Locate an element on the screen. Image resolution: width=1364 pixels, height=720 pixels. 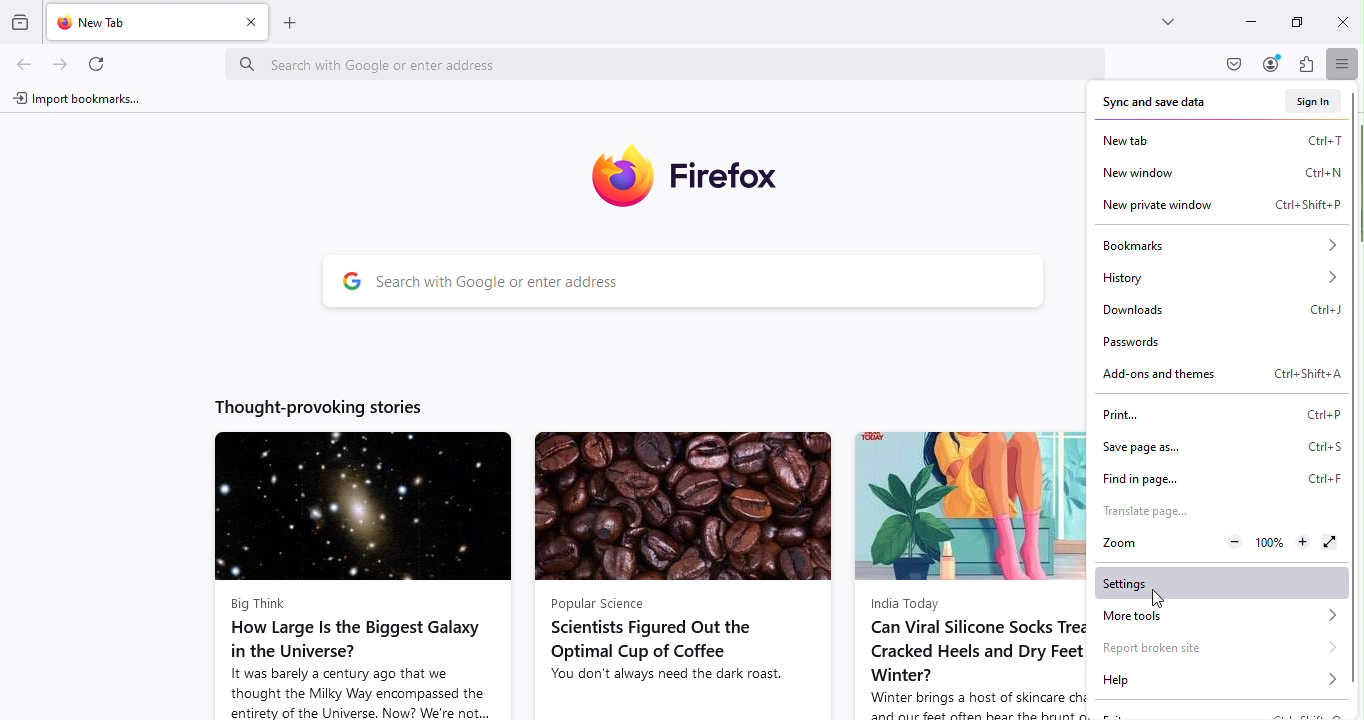
Open application menu is located at coordinates (1346, 64).